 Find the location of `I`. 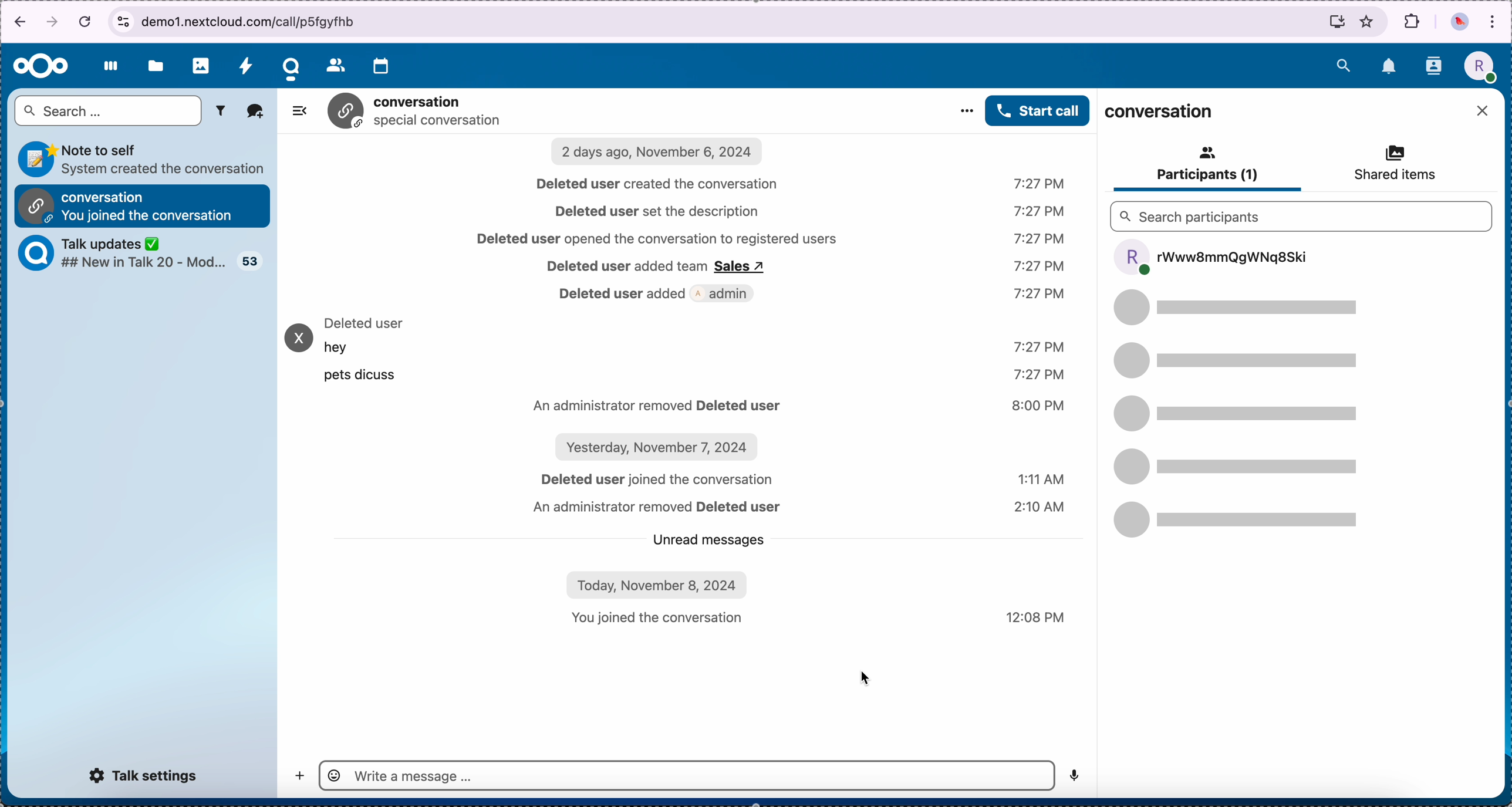

I is located at coordinates (679, 195).